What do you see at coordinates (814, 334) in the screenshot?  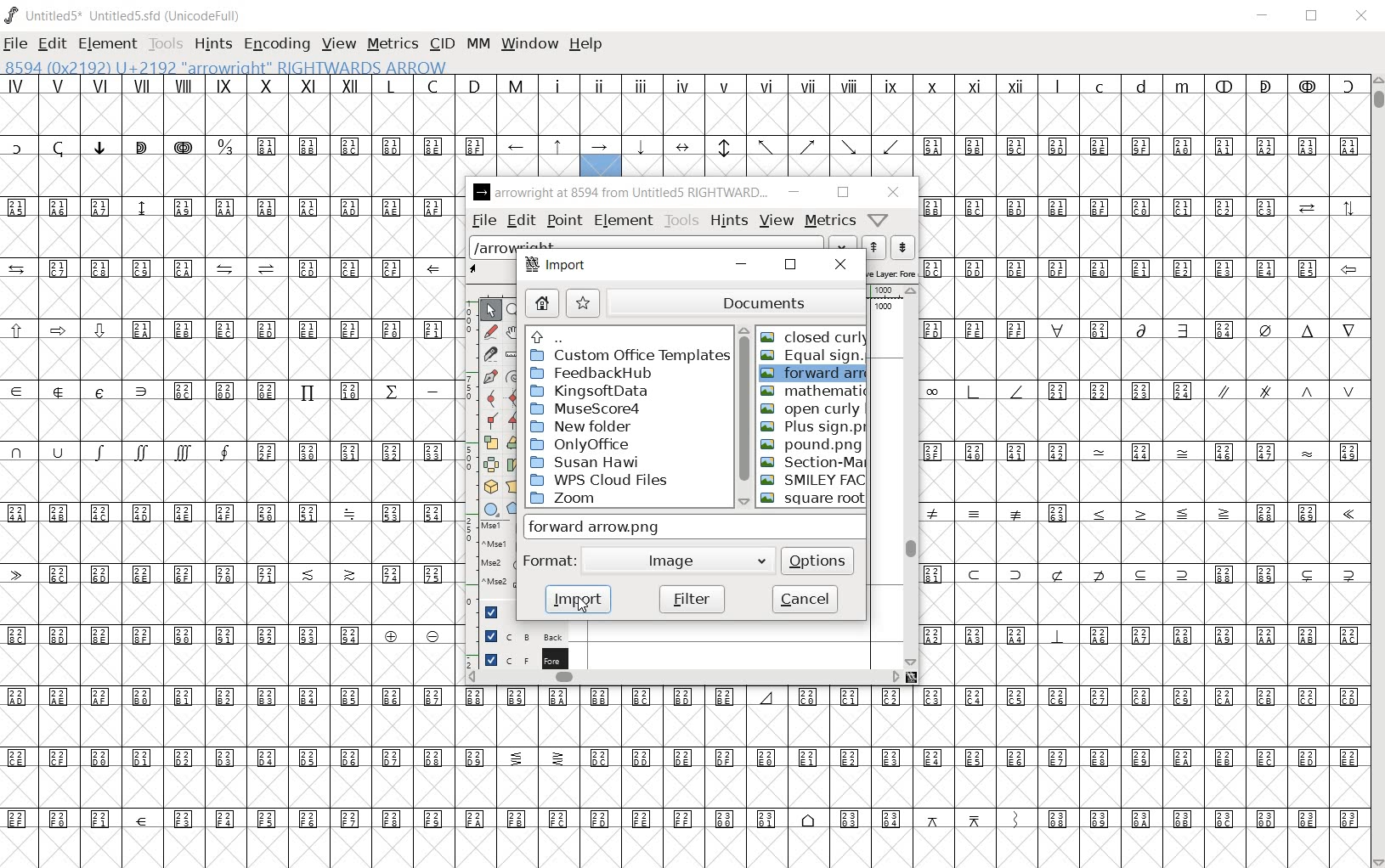 I see `closed curly` at bounding box center [814, 334].